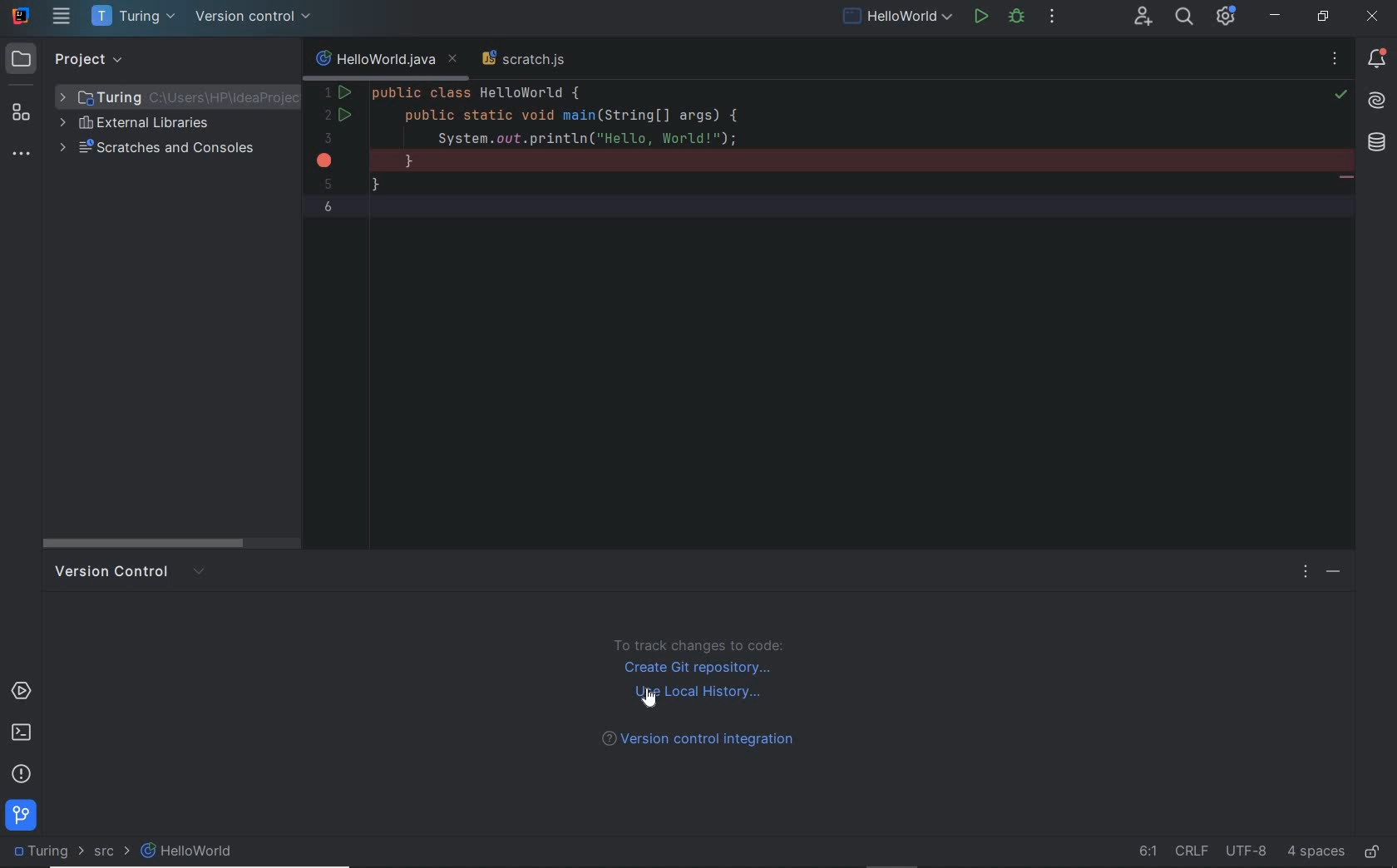 This screenshot has height=868, width=1397. I want to click on git, so click(20, 816).